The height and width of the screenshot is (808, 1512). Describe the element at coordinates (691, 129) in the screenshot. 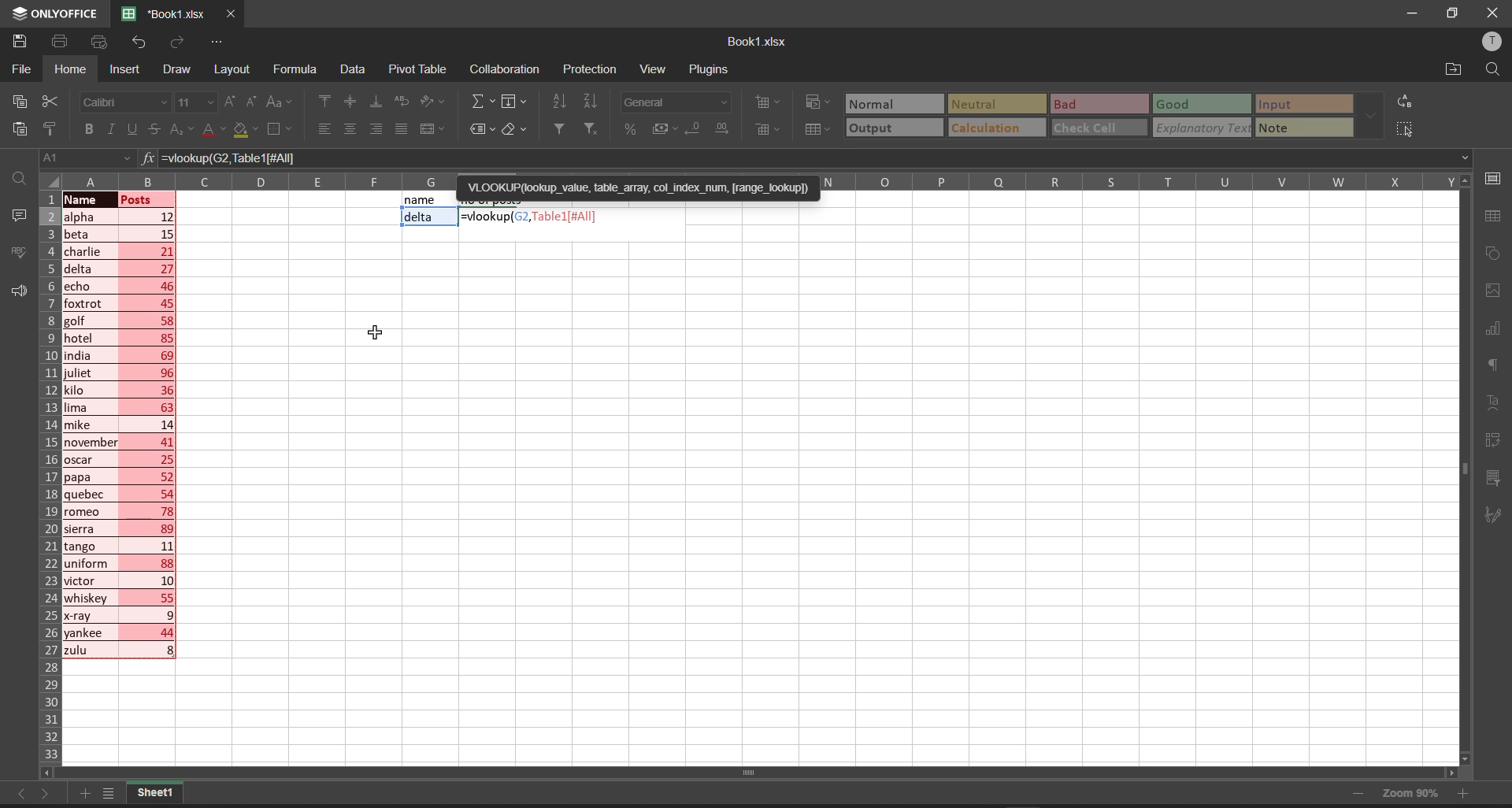

I see `decrease decimal` at that location.